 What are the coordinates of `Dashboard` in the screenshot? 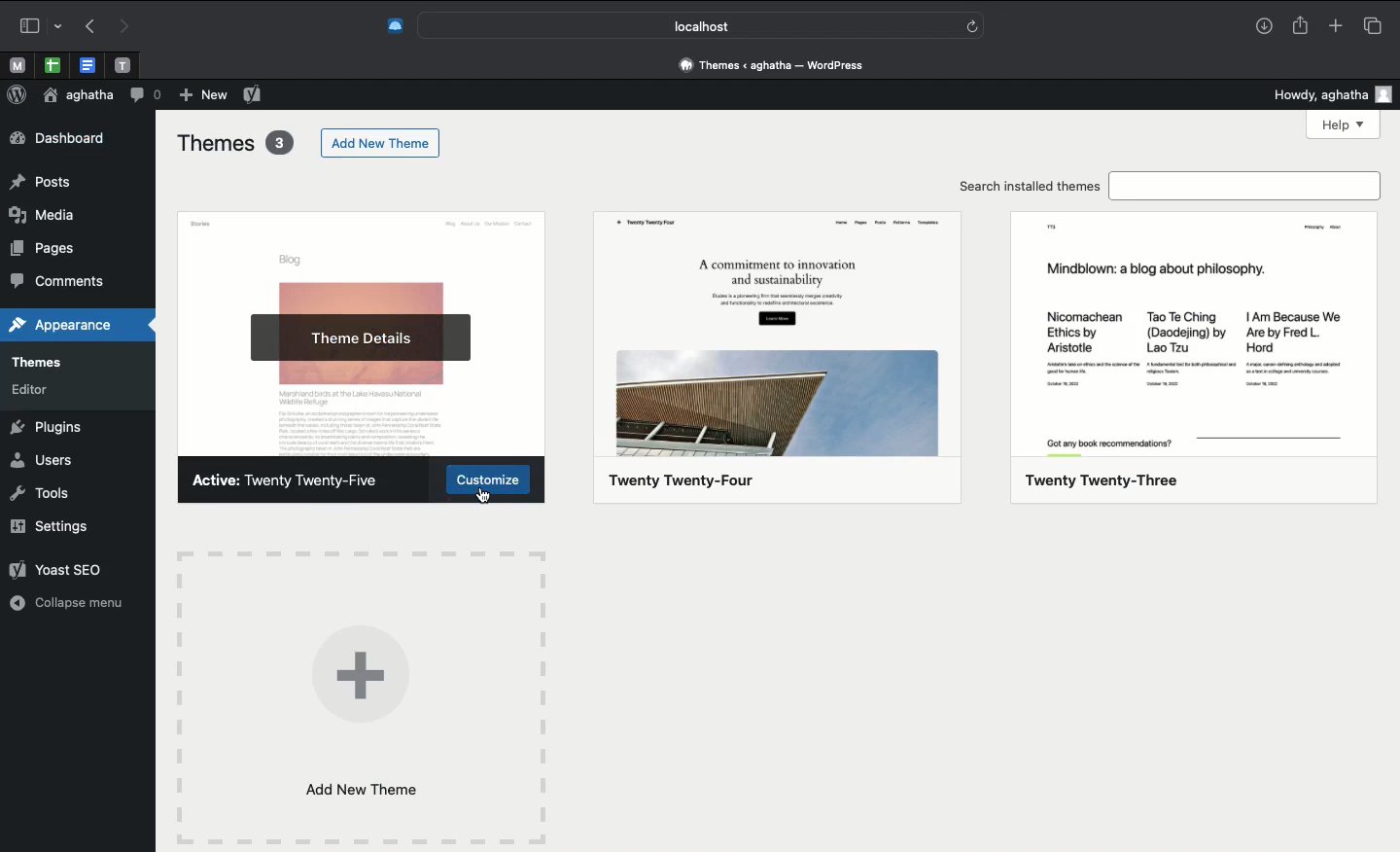 It's located at (60, 139).